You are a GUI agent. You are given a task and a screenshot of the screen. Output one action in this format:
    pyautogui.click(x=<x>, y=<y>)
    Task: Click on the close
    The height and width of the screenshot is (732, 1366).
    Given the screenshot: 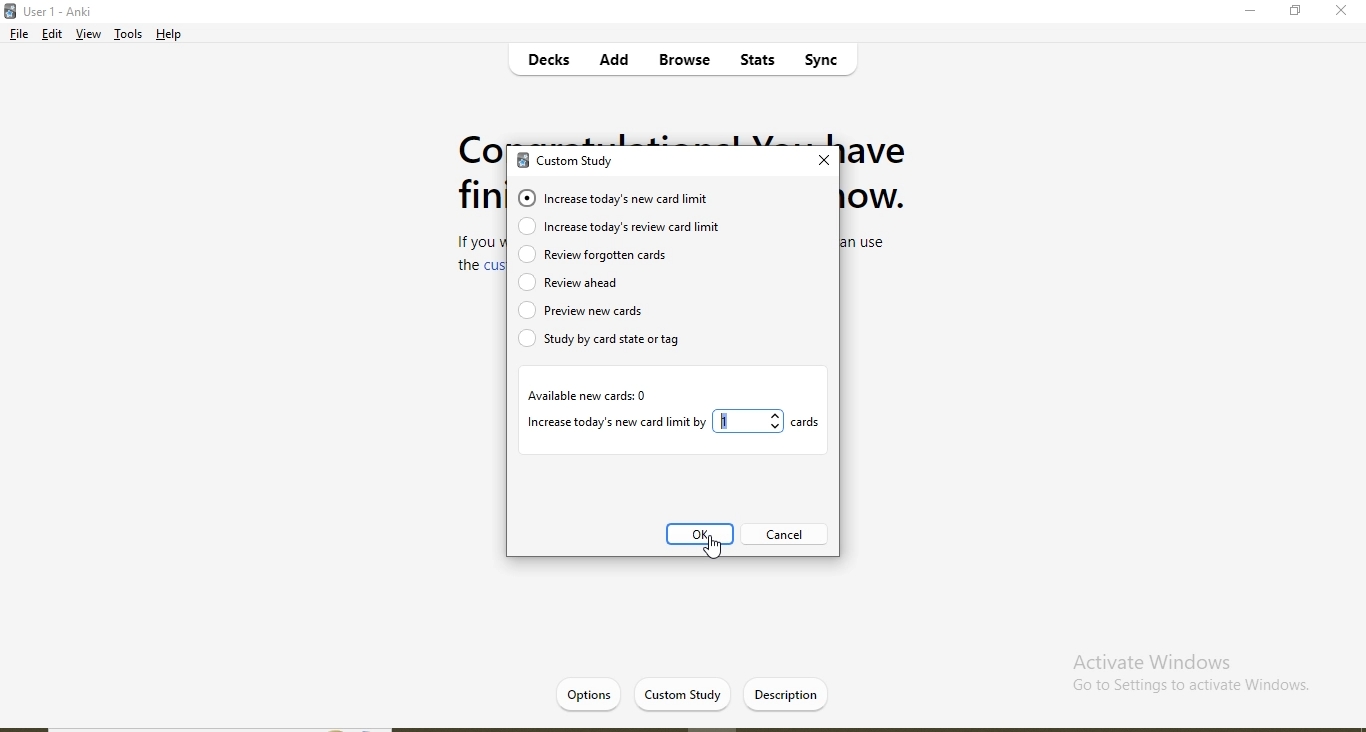 What is the action you would take?
    pyautogui.click(x=1341, y=12)
    